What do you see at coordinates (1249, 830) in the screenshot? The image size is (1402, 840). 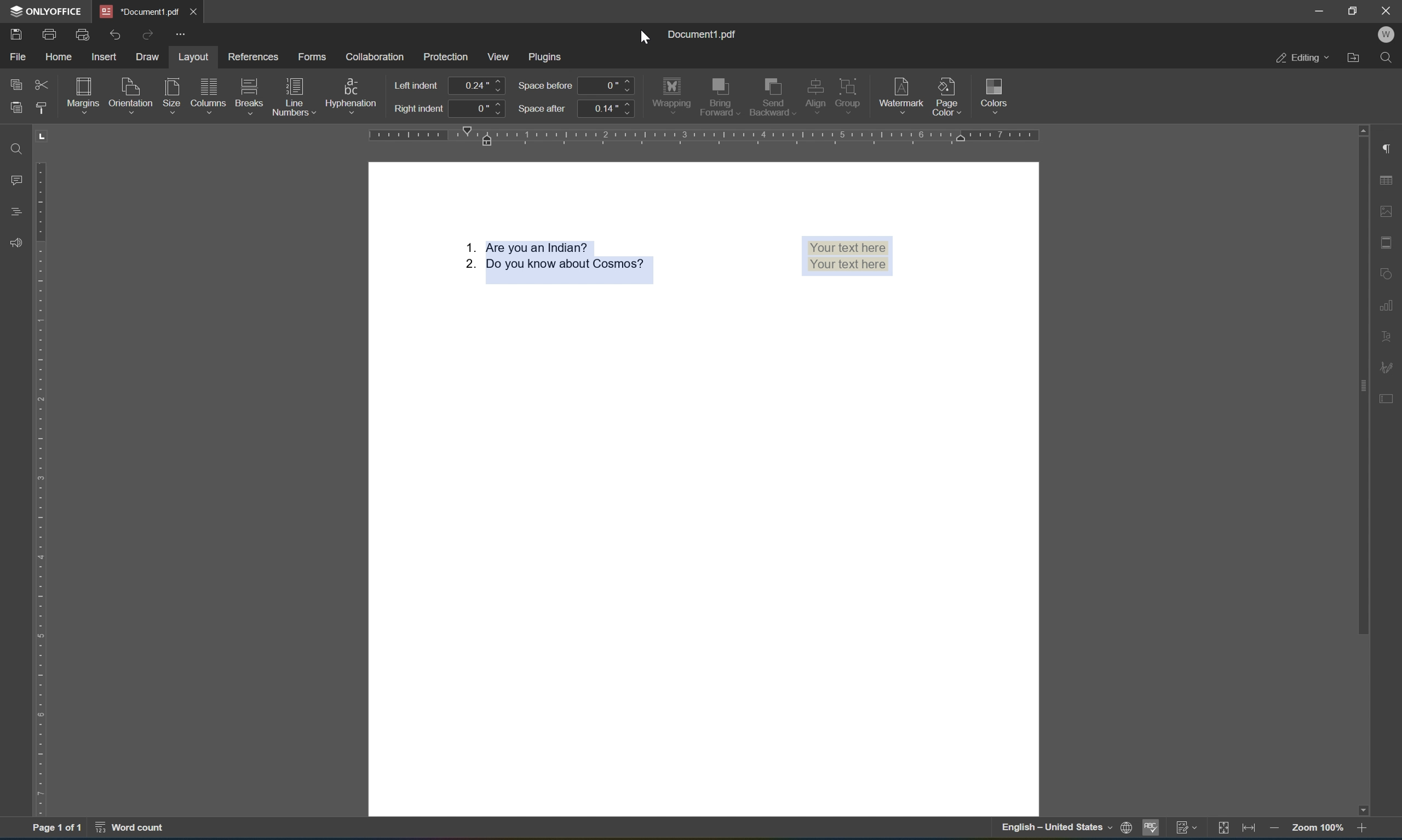 I see `fit to width` at bounding box center [1249, 830].